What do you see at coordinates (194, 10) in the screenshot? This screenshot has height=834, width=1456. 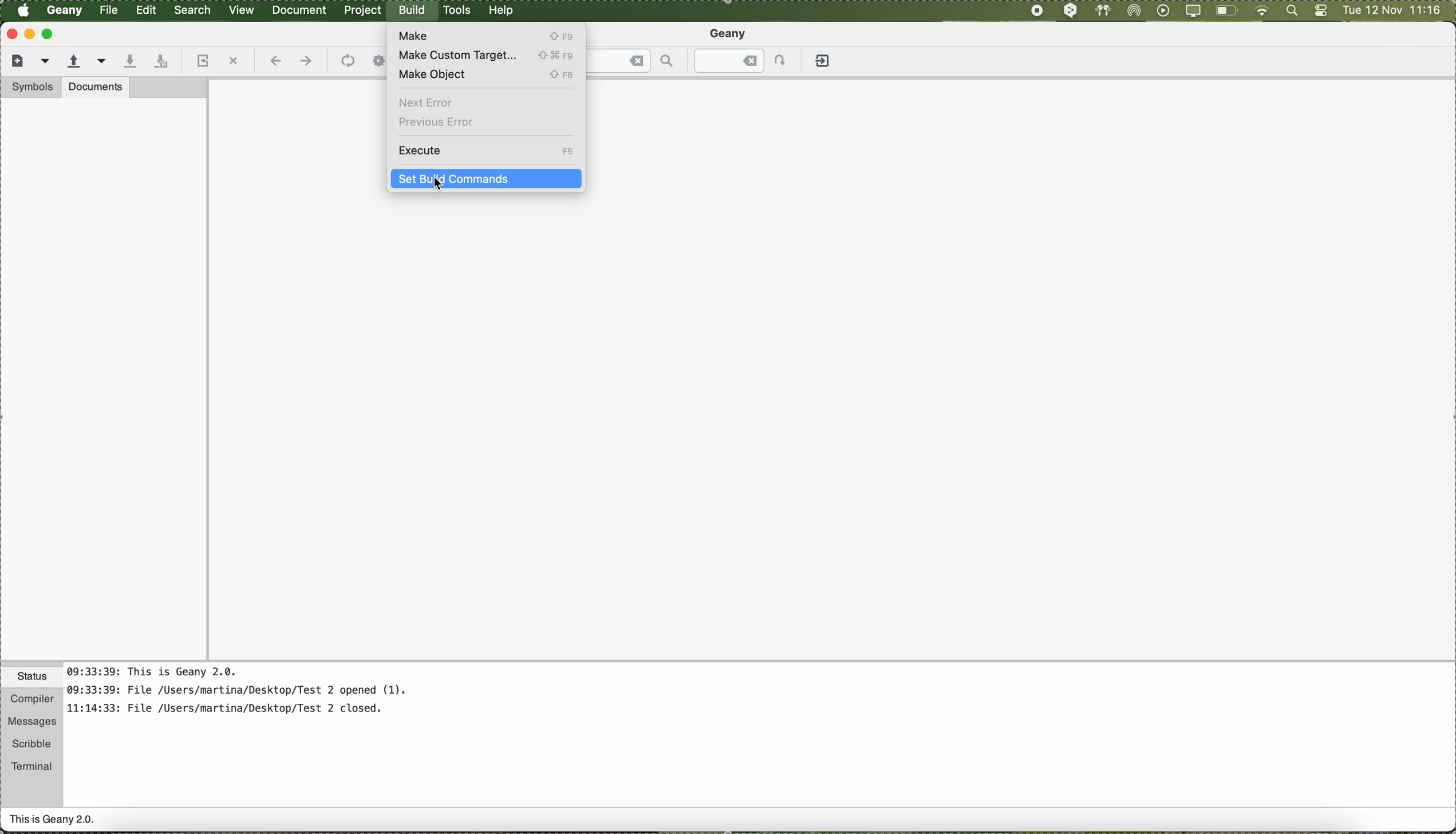 I see `search` at bounding box center [194, 10].